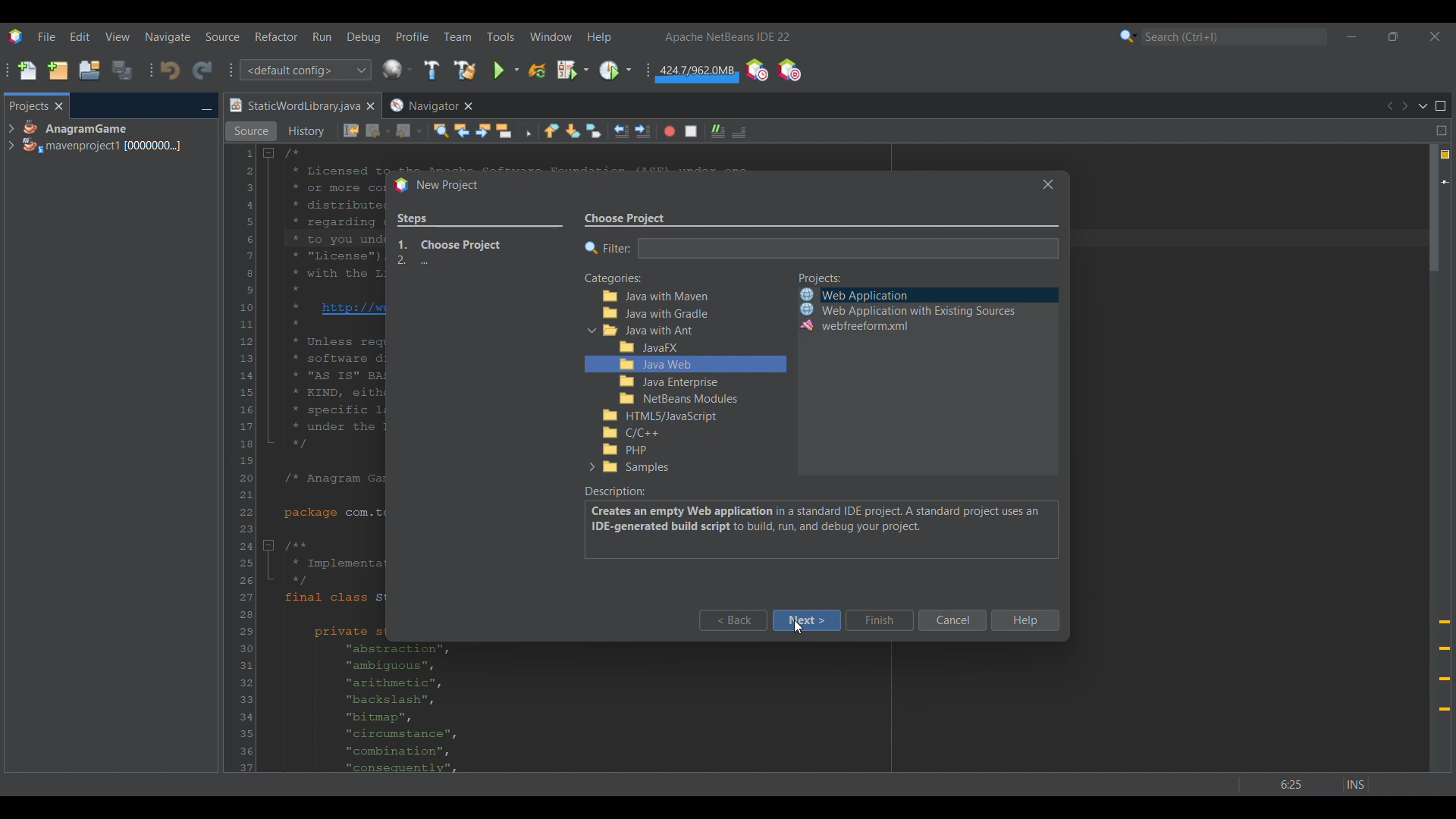 Image resolution: width=1456 pixels, height=819 pixels. What do you see at coordinates (1393, 36) in the screenshot?
I see `Show in smaller tab` at bounding box center [1393, 36].